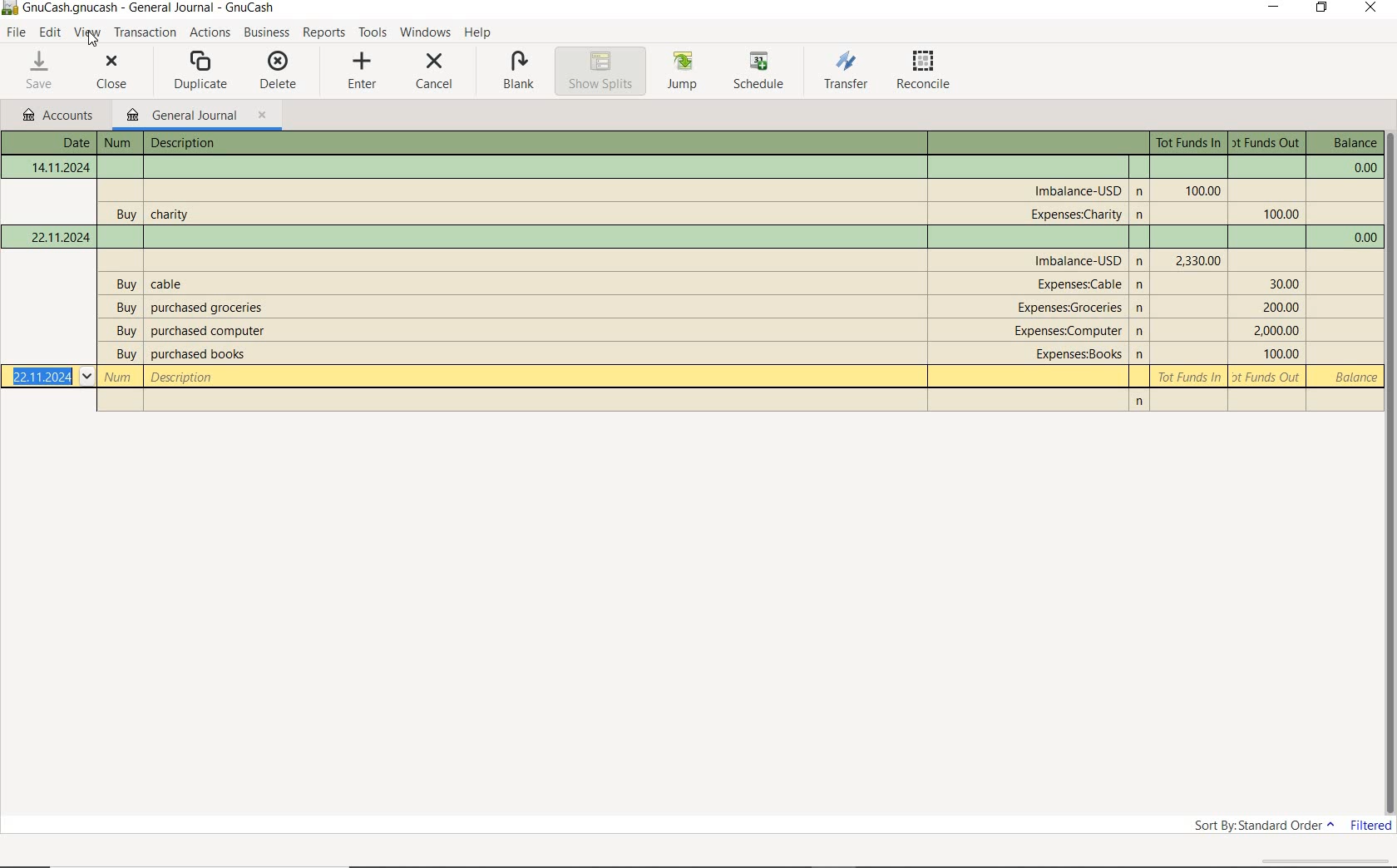  What do you see at coordinates (1072, 308) in the screenshot?
I see `account` at bounding box center [1072, 308].